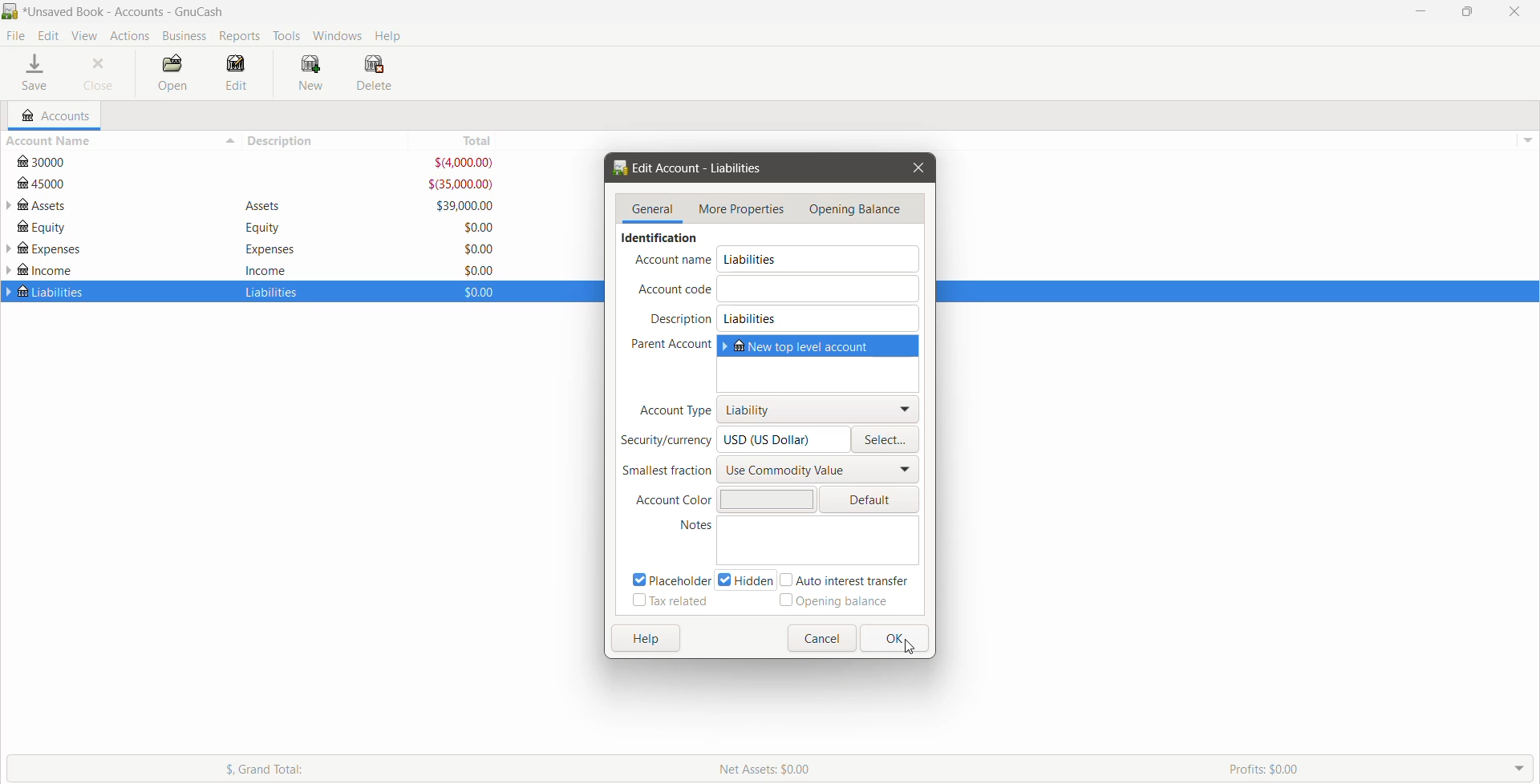 This screenshot has height=784, width=1540. I want to click on Description, so click(331, 140).